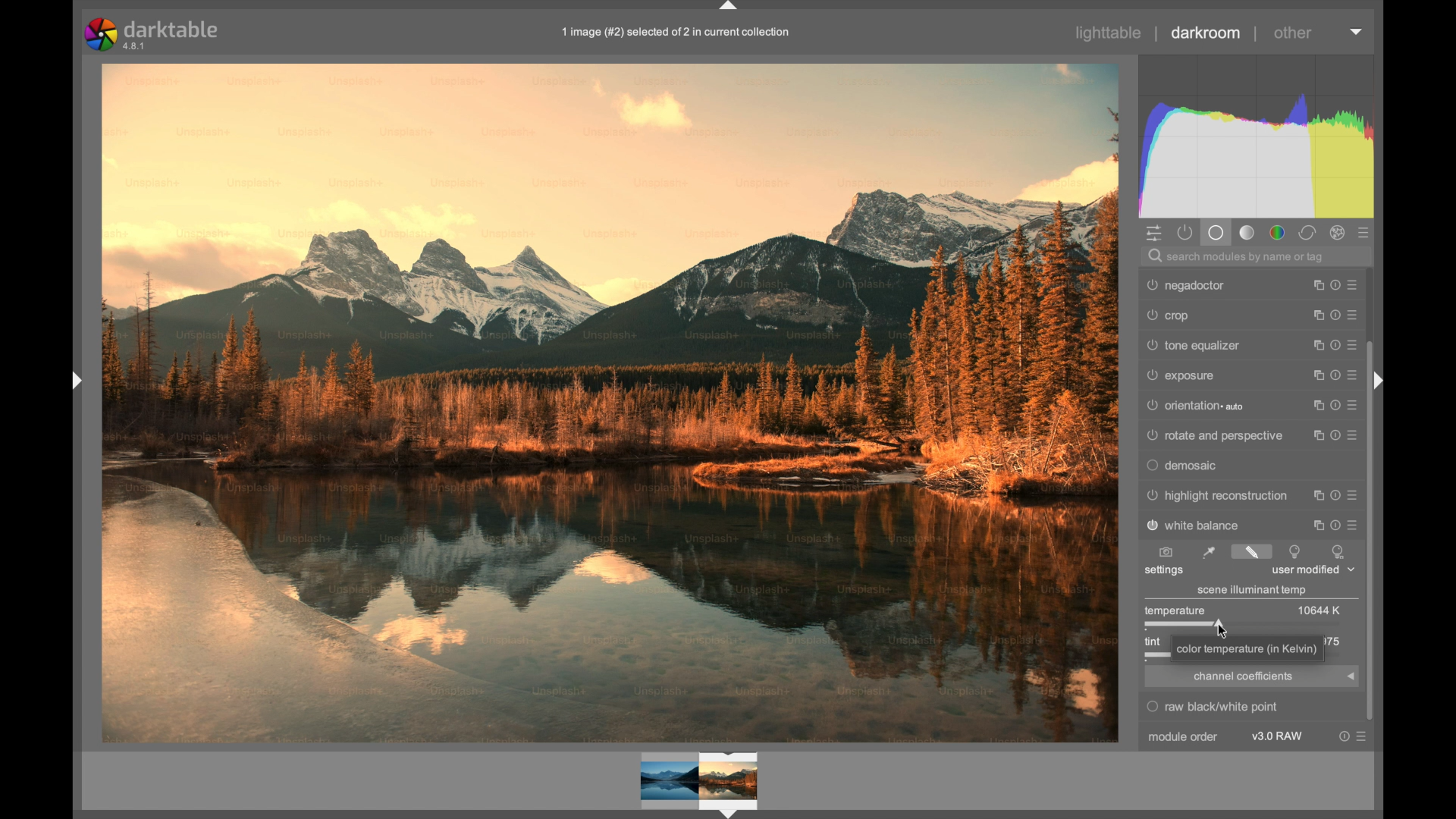 The width and height of the screenshot is (1456, 819). What do you see at coordinates (1323, 610) in the screenshot?
I see `10644 K` at bounding box center [1323, 610].